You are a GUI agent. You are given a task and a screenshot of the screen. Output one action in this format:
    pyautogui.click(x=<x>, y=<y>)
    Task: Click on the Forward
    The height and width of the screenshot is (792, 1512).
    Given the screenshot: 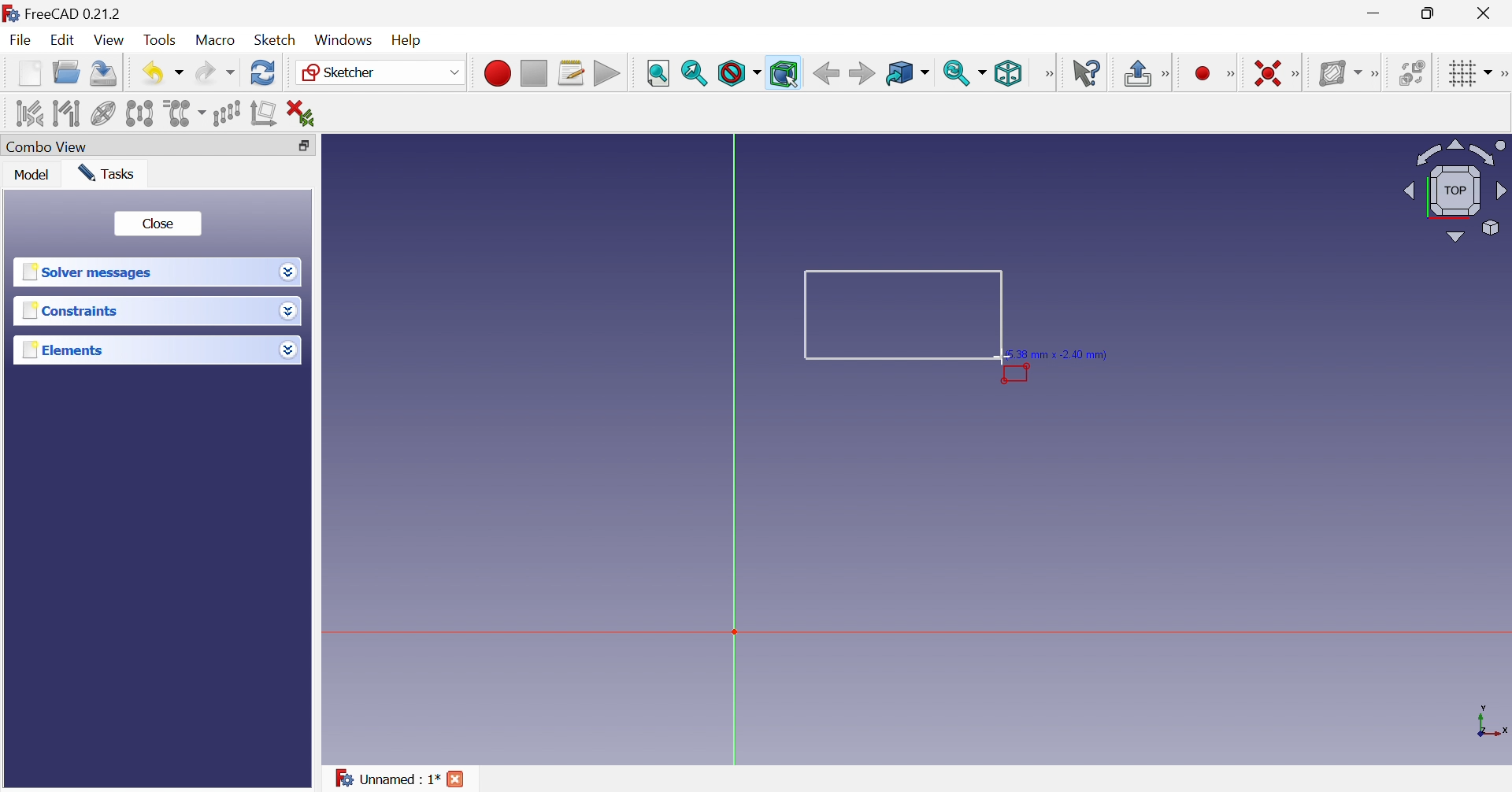 What is the action you would take?
    pyautogui.click(x=862, y=74)
    